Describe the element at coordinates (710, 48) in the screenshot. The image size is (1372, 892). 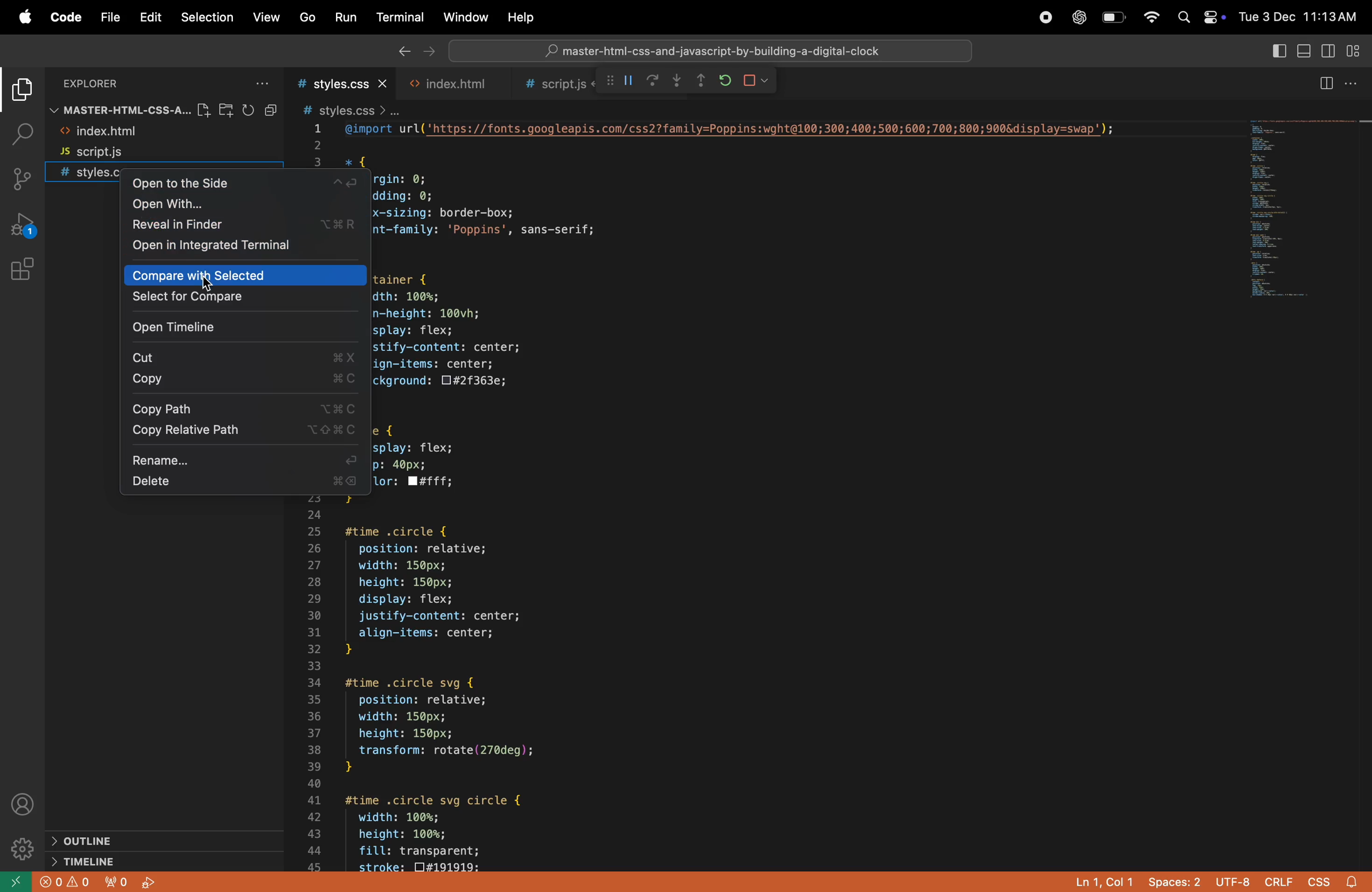
I see `search bar` at that location.